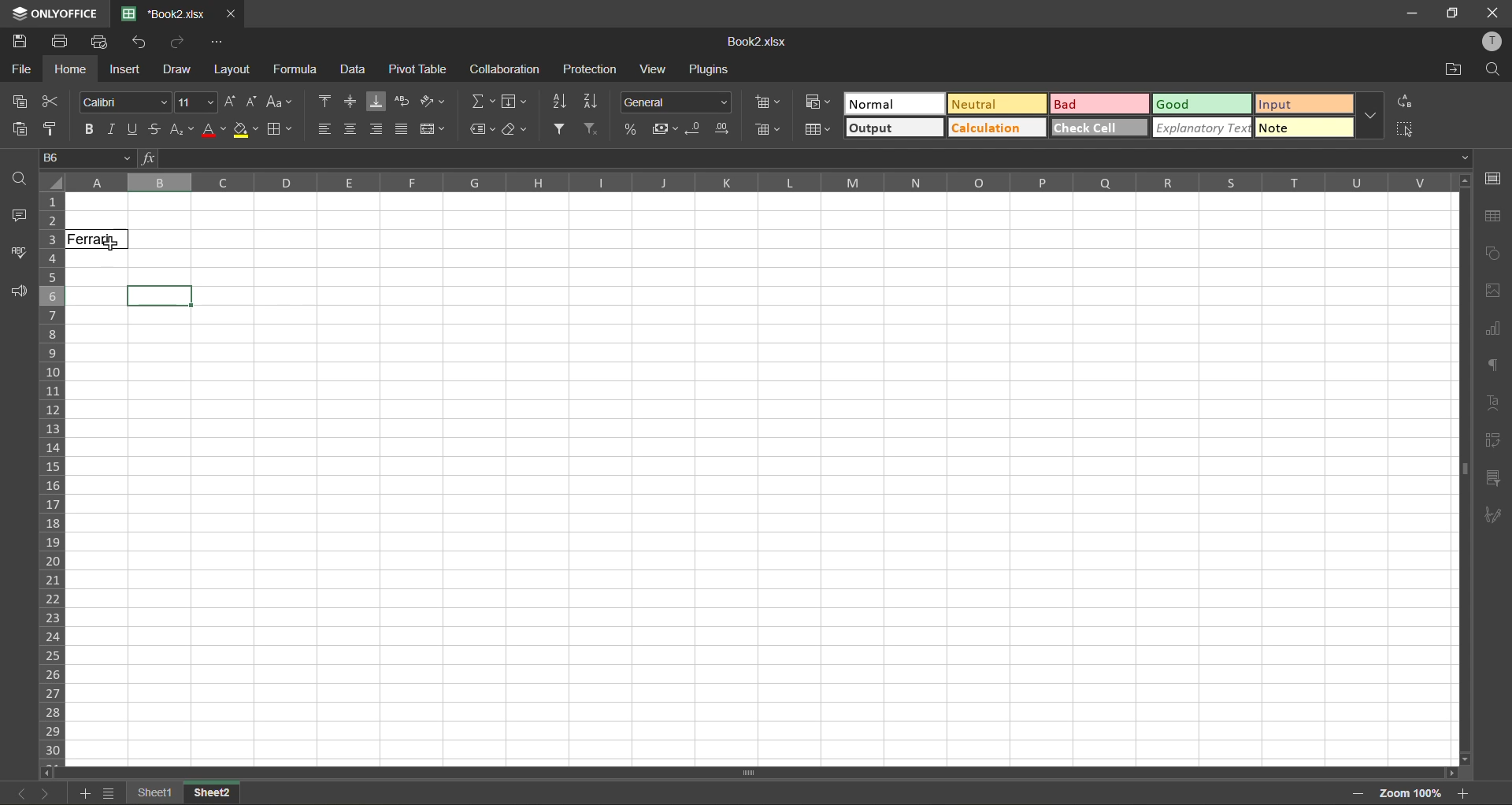 The image size is (1512, 805). What do you see at coordinates (1494, 218) in the screenshot?
I see `table` at bounding box center [1494, 218].